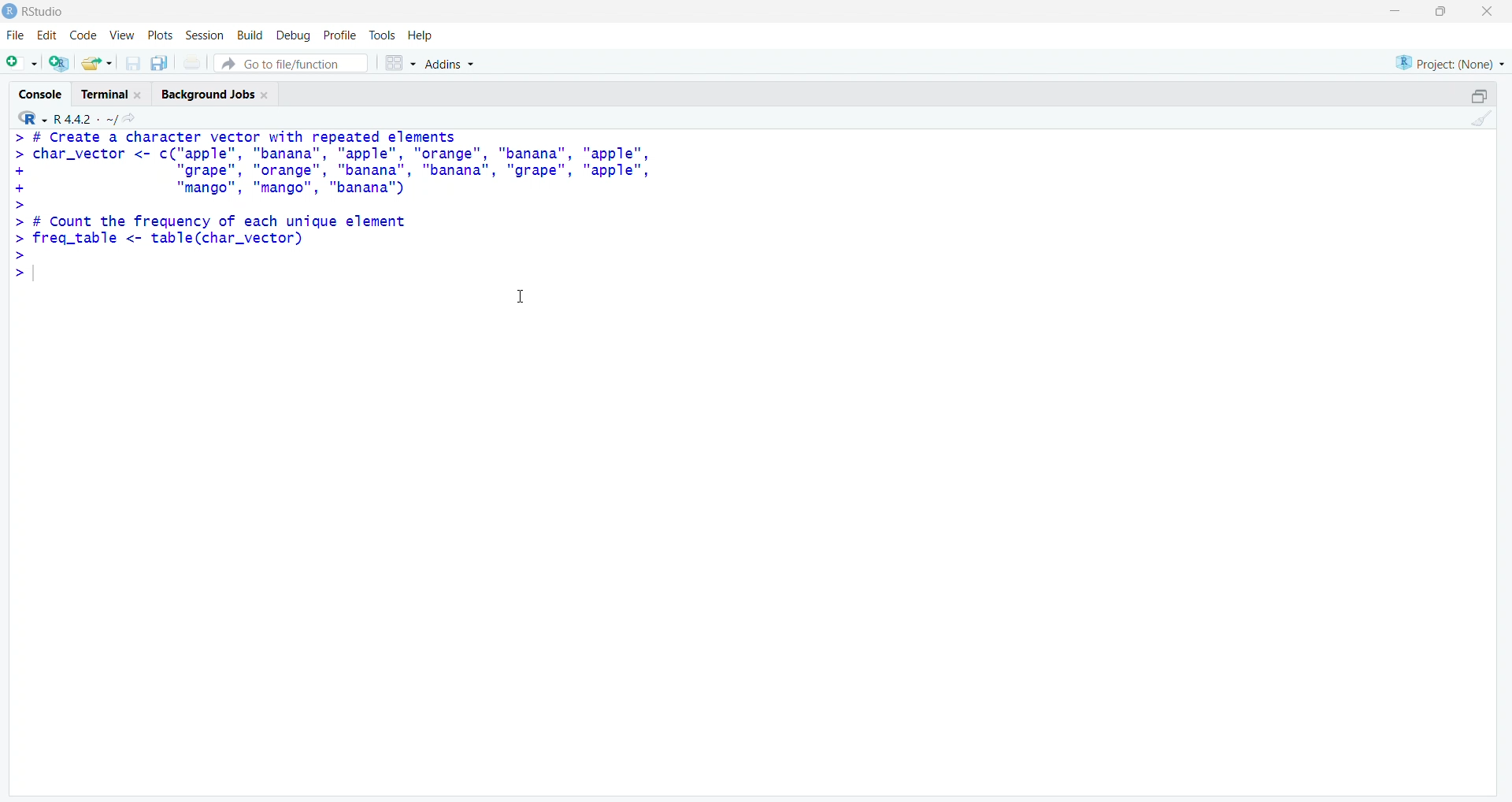 Image resolution: width=1512 pixels, height=802 pixels. What do you see at coordinates (527, 295) in the screenshot?
I see `Cursor` at bounding box center [527, 295].